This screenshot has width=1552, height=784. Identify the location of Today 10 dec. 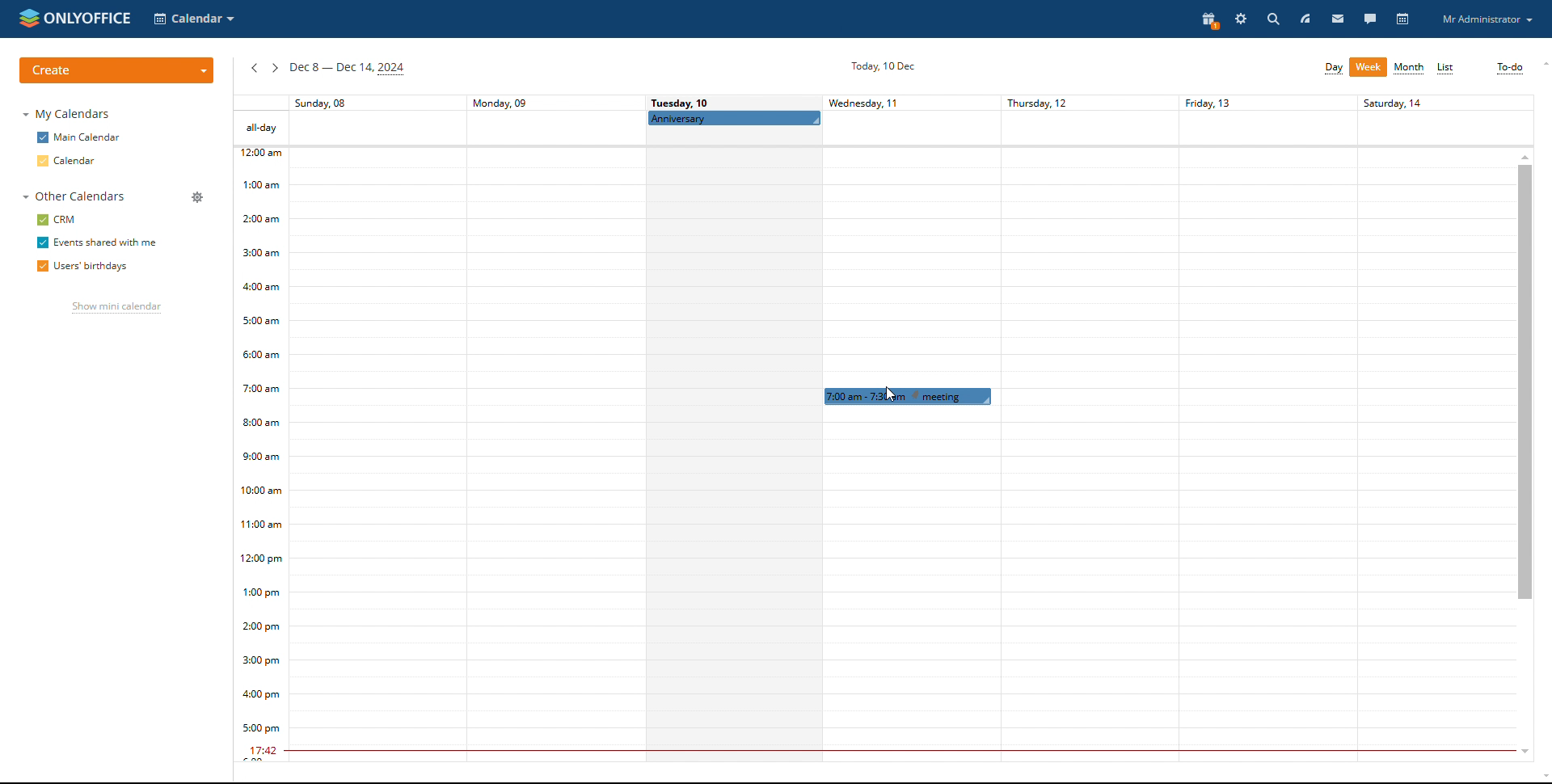
(880, 65).